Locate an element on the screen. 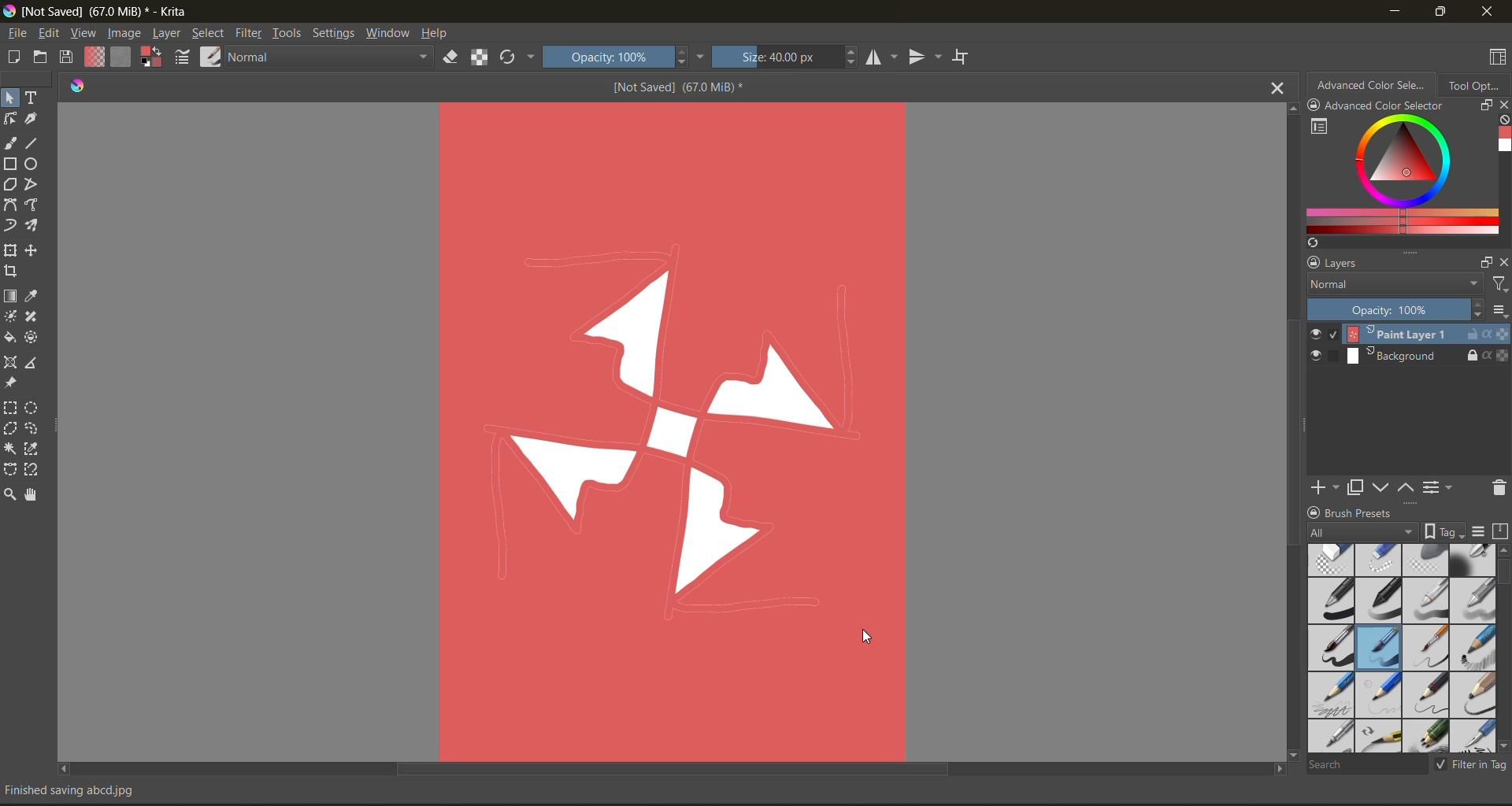 The width and height of the screenshot is (1512, 806). mask down is located at coordinates (1384, 487).